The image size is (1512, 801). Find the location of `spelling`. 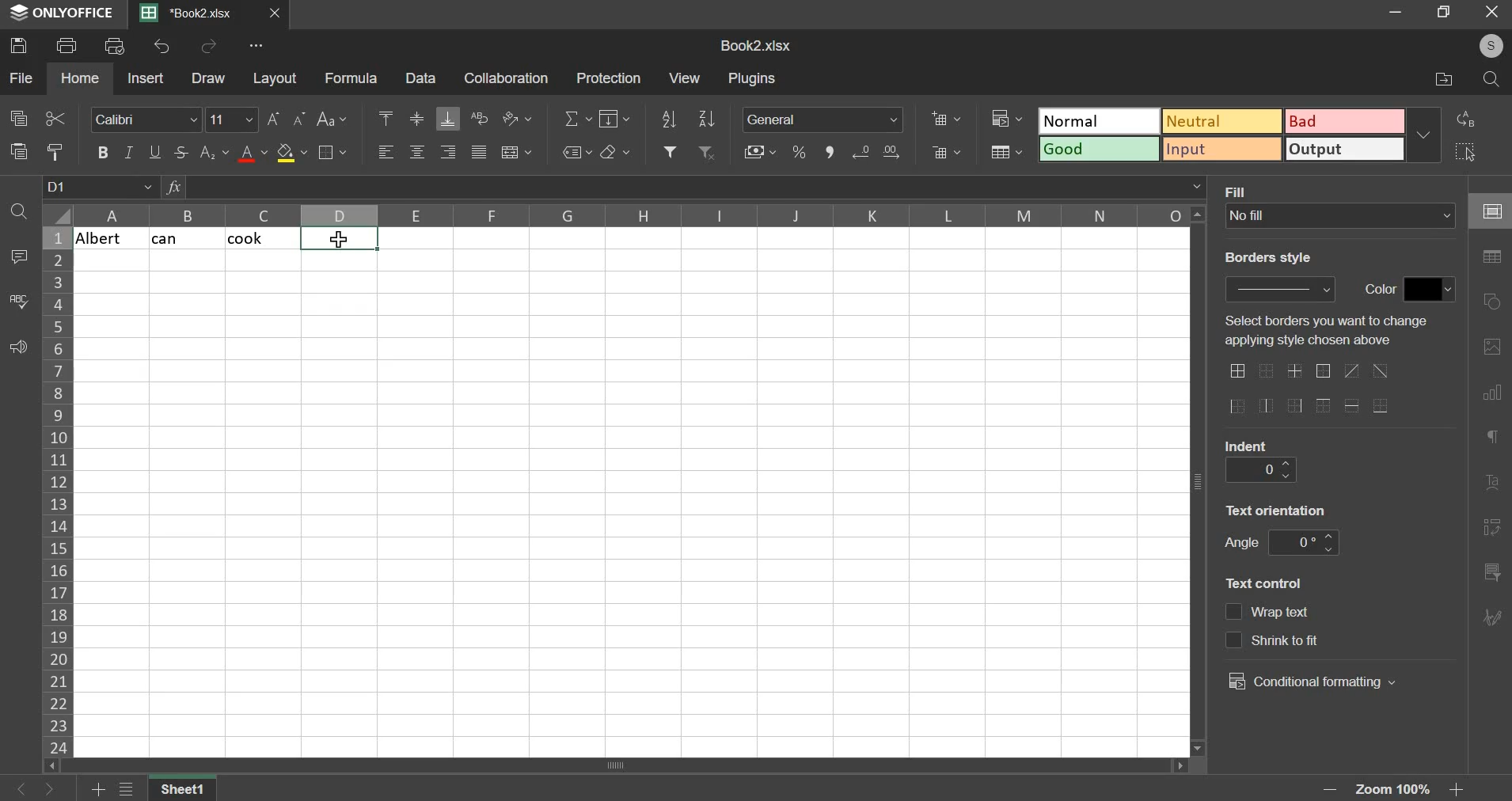

spelling is located at coordinates (18, 301).